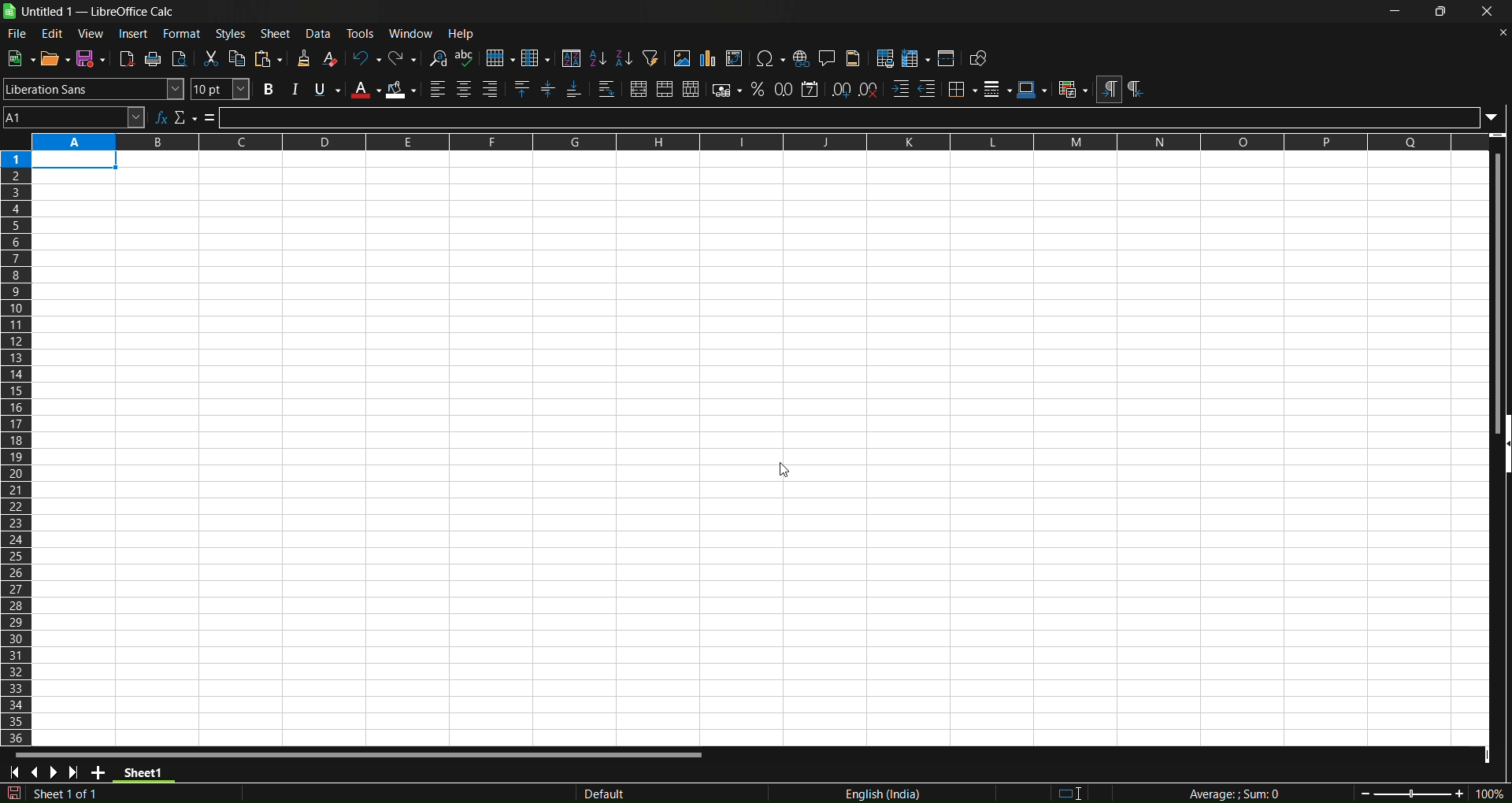 The height and width of the screenshot is (803, 1512). Describe the element at coordinates (1032, 89) in the screenshot. I see `border color` at that location.